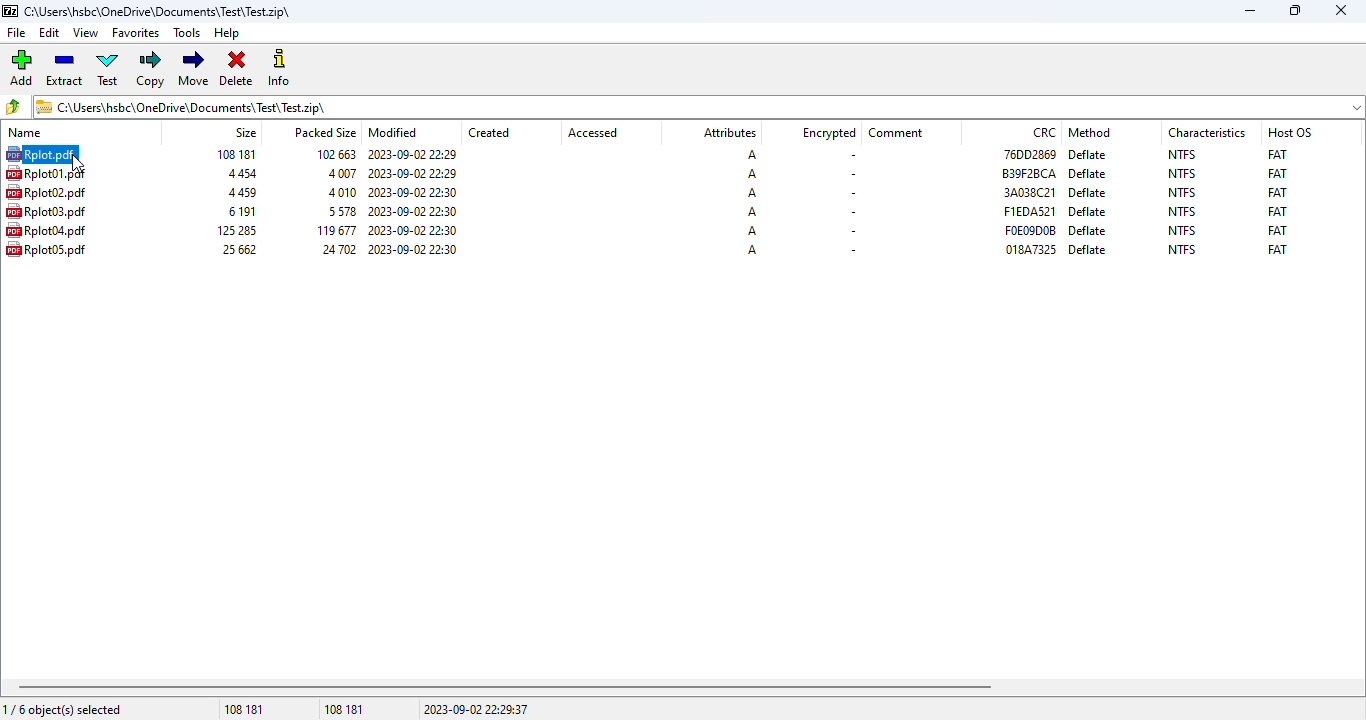 The image size is (1366, 720). I want to click on extract, so click(65, 70).